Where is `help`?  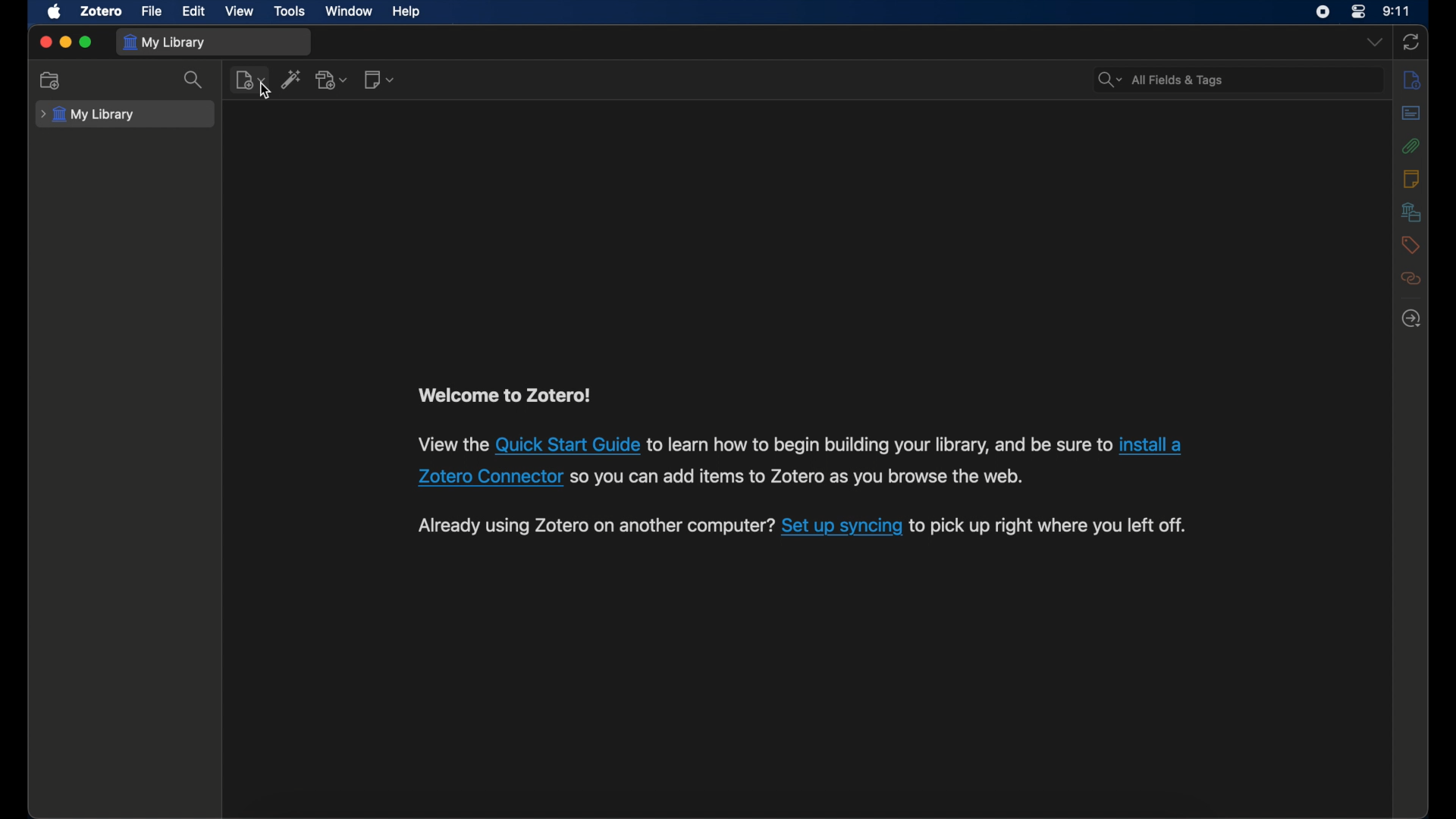
help is located at coordinates (408, 11).